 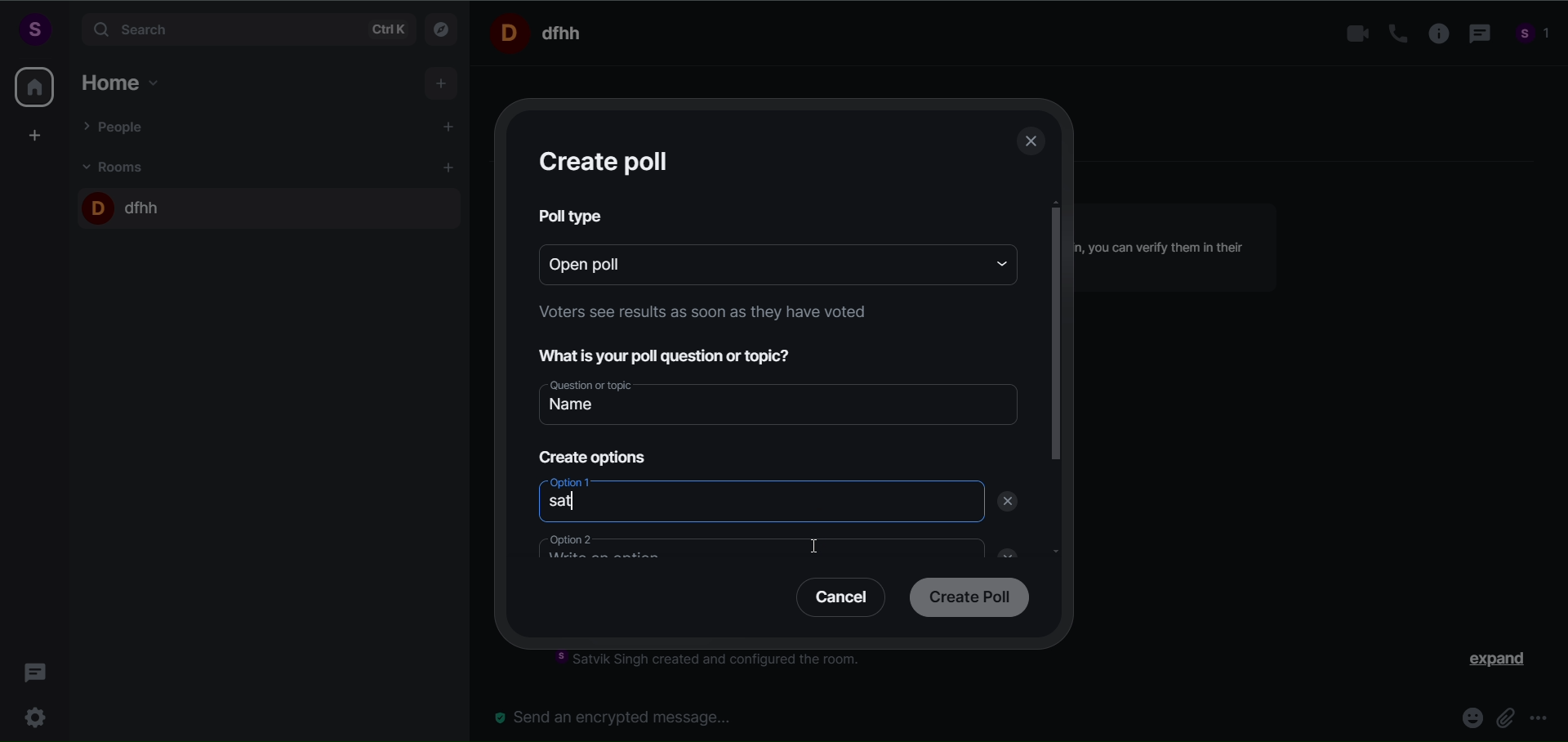 I want to click on remove, so click(x=1011, y=502).